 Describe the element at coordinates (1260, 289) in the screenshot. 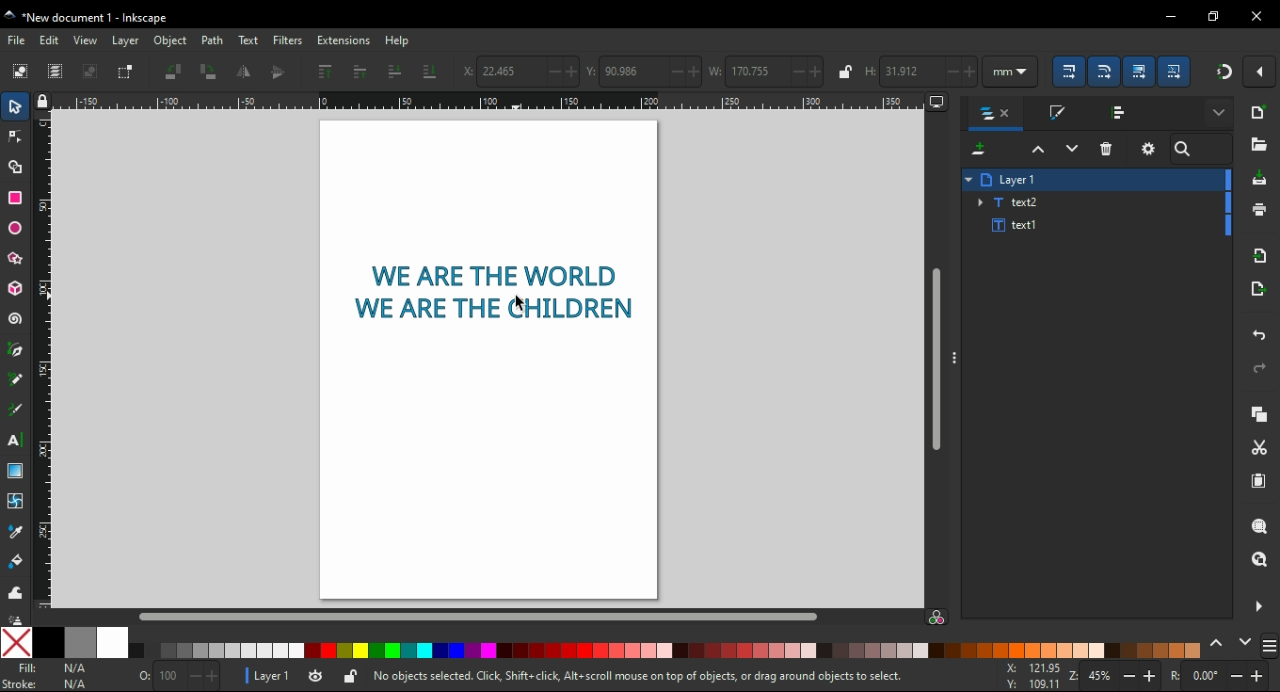

I see `open export` at that location.